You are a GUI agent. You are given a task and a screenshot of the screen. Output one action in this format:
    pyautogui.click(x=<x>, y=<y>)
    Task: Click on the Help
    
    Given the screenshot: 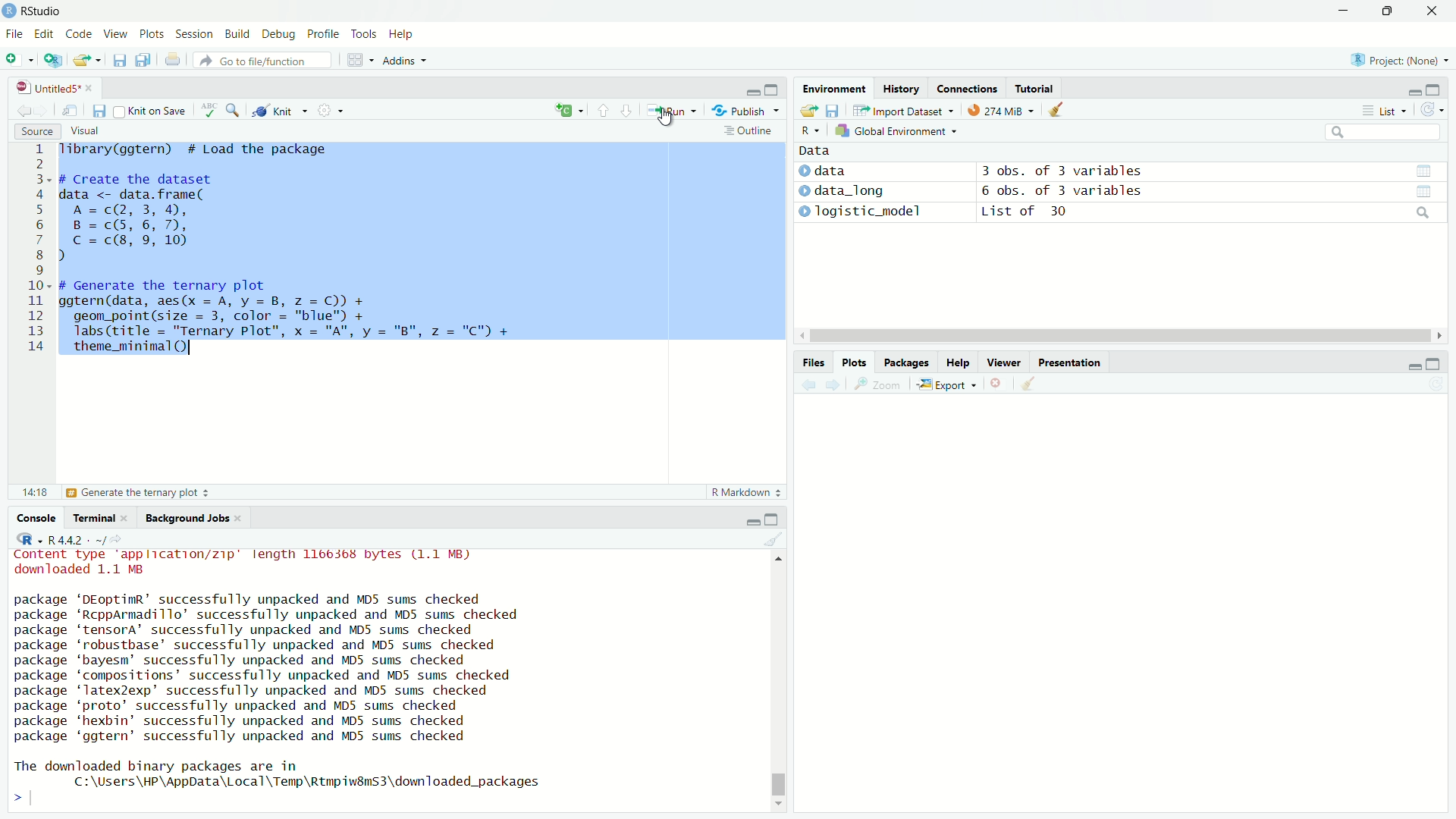 What is the action you would take?
    pyautogui.click(x=400, y=35)
    